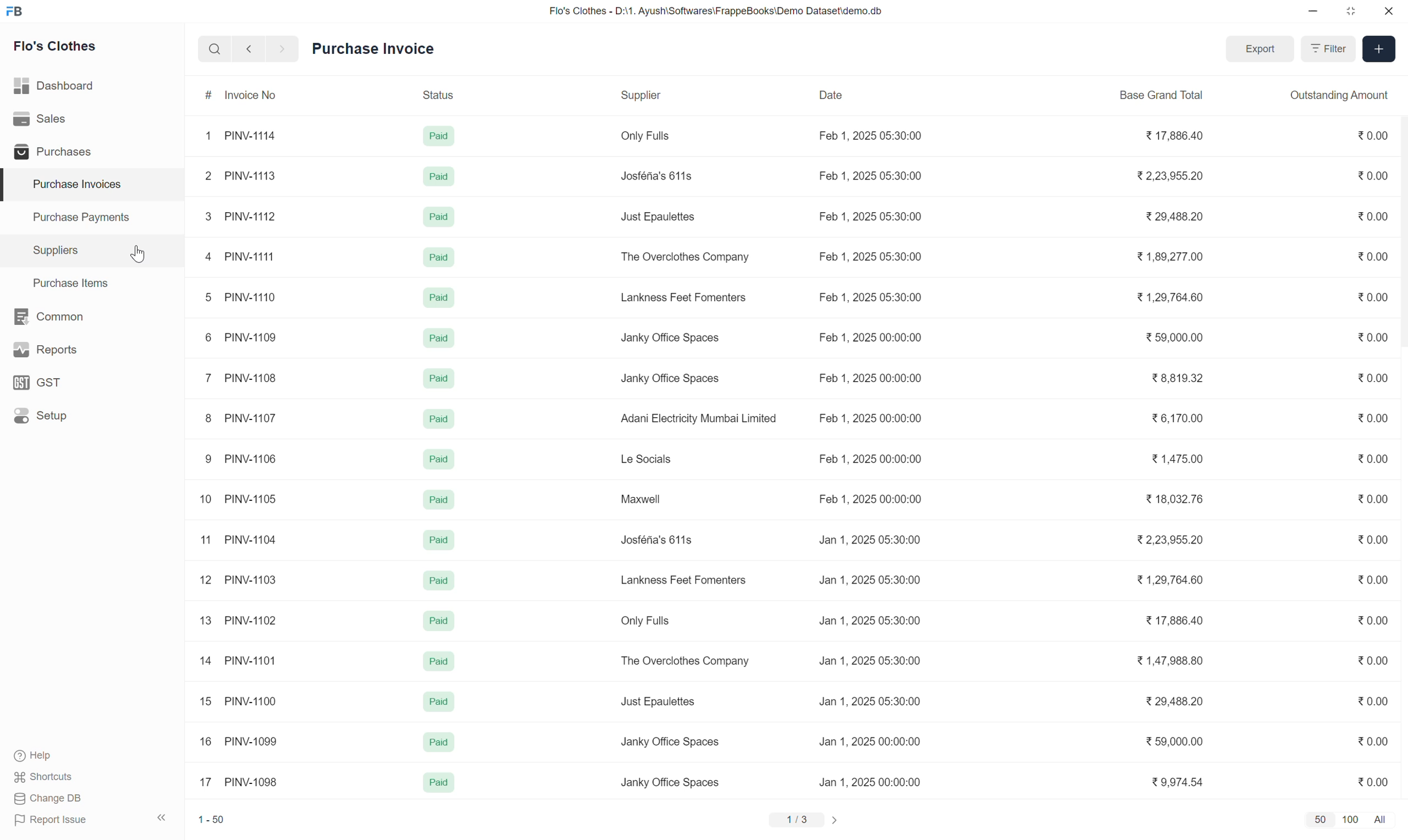 This screenshot has height=840, width=1408. What do you see at coordinates (1351, 820) in the screenshot?
I see `100` at bounding box center [1351, 820].